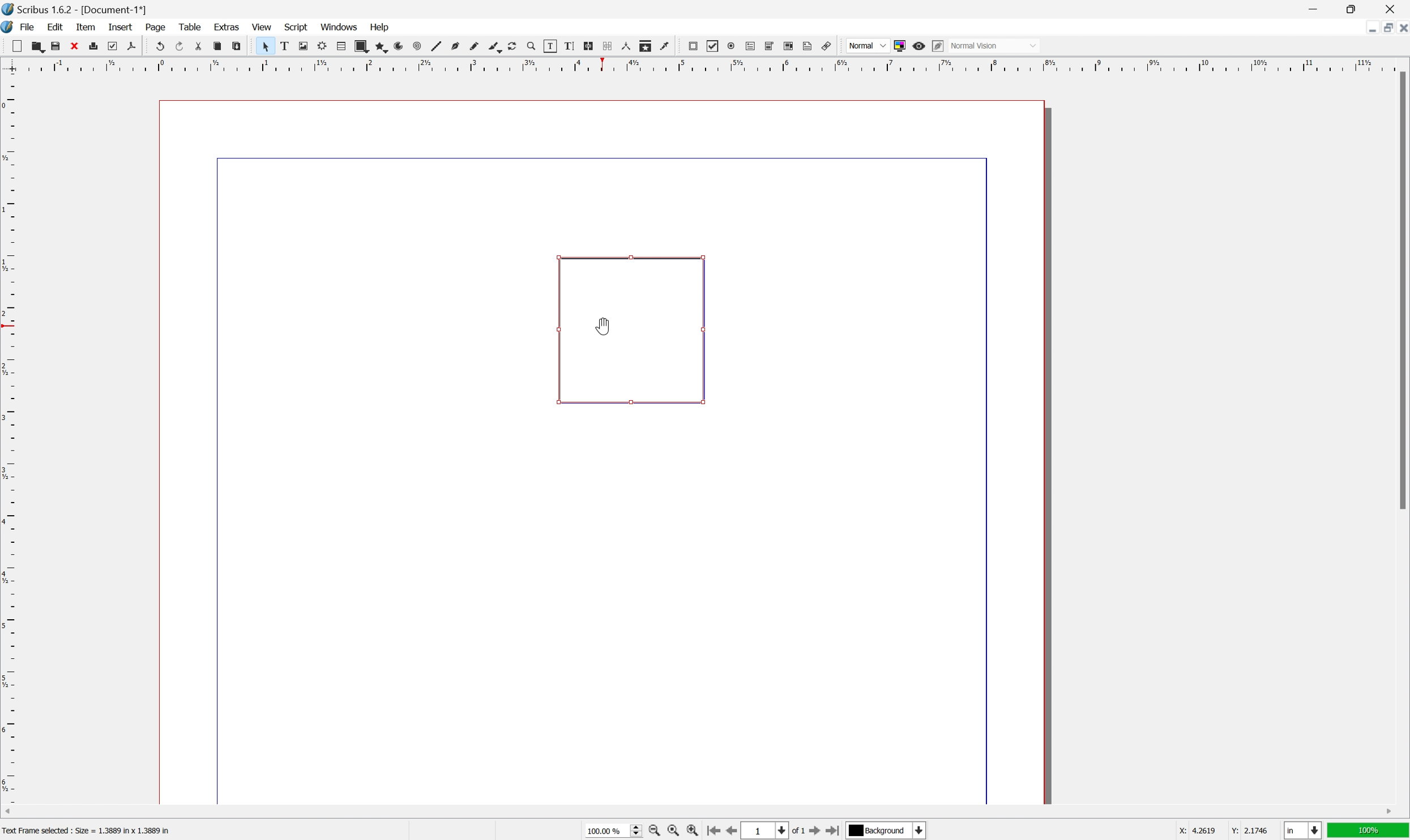  I want to click on table, so click(189, 25).